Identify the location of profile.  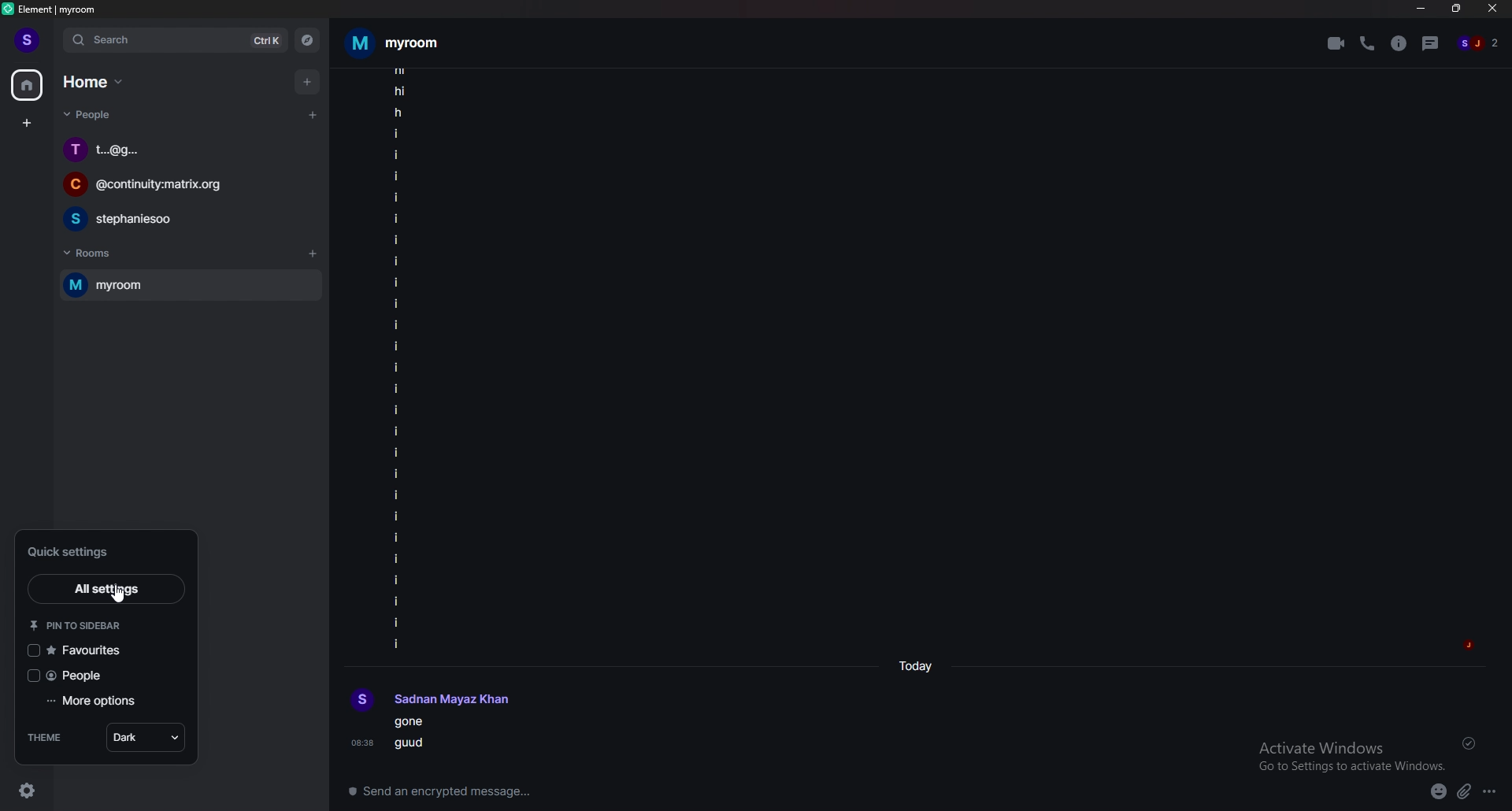
(25, 39).